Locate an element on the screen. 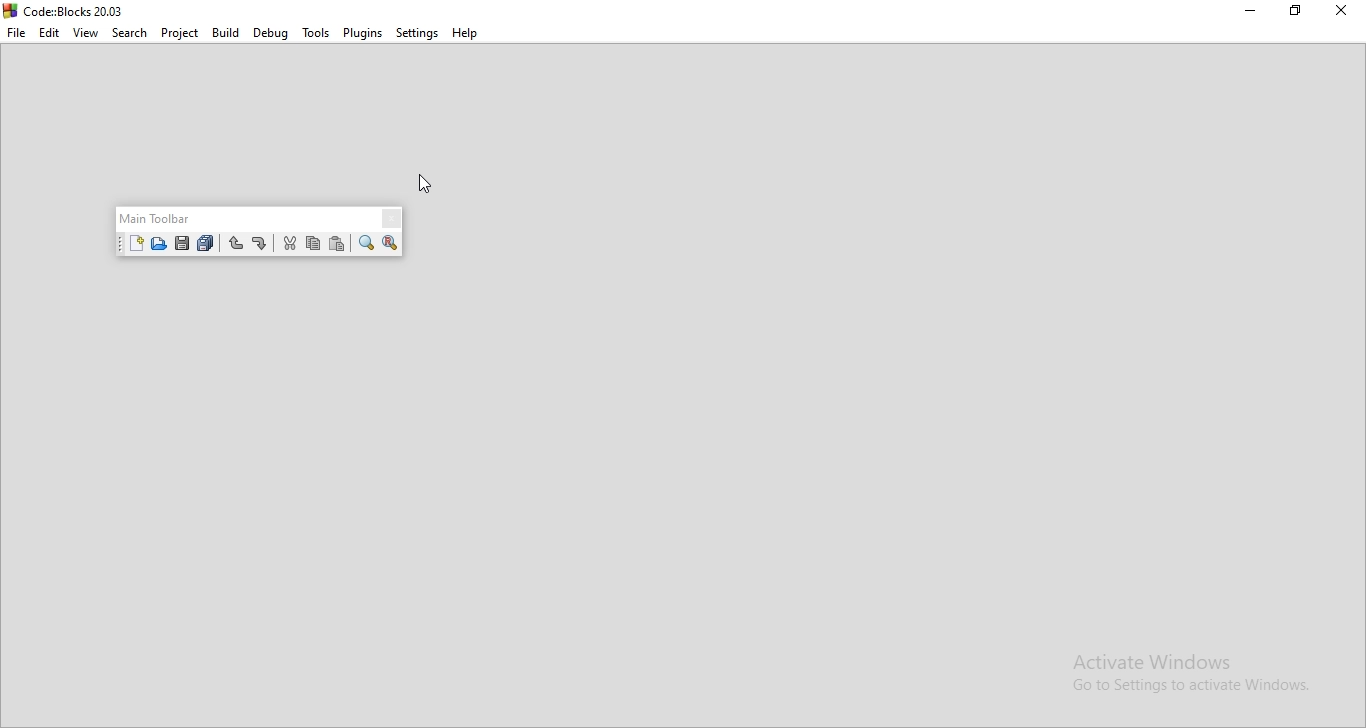  Build  is located at coordinates (225, 33).